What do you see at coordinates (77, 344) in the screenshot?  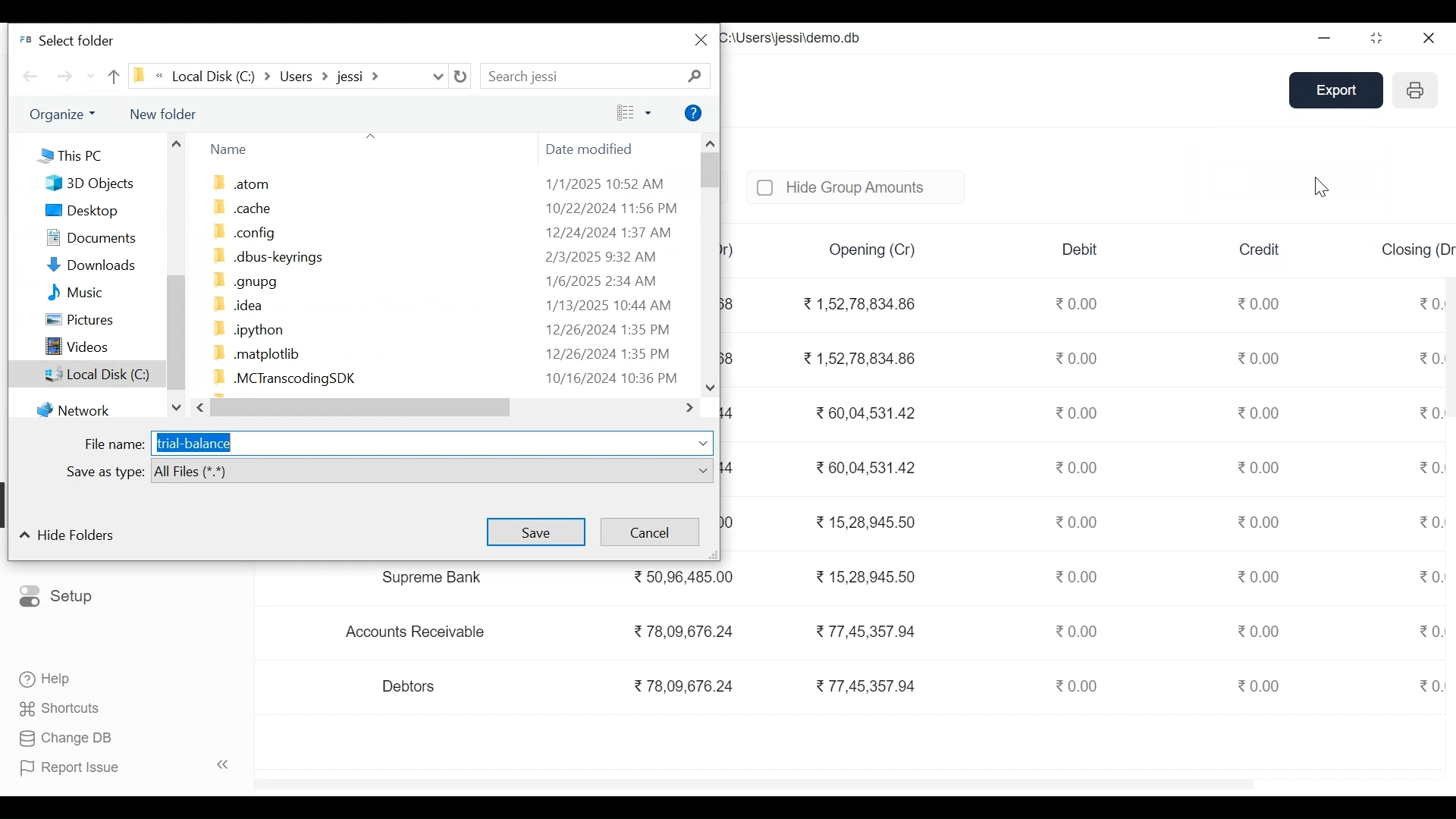 I see `Videos` at bounding box center [77, 344].